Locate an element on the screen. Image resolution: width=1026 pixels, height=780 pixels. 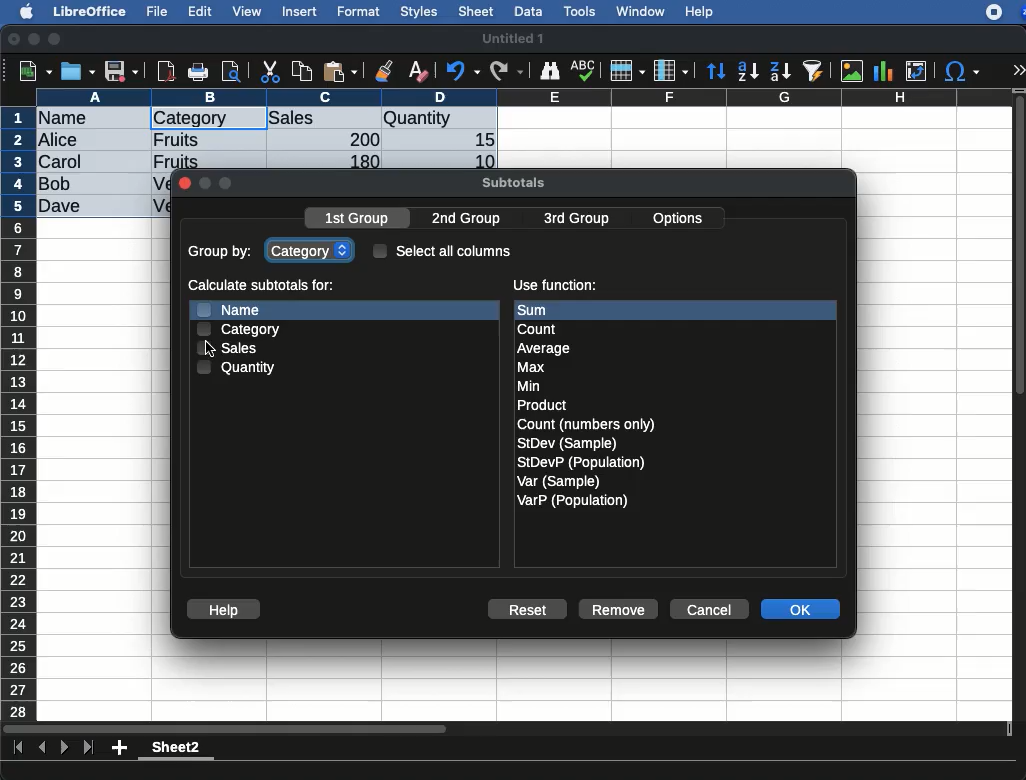
close is located at coordinates (15, 41).